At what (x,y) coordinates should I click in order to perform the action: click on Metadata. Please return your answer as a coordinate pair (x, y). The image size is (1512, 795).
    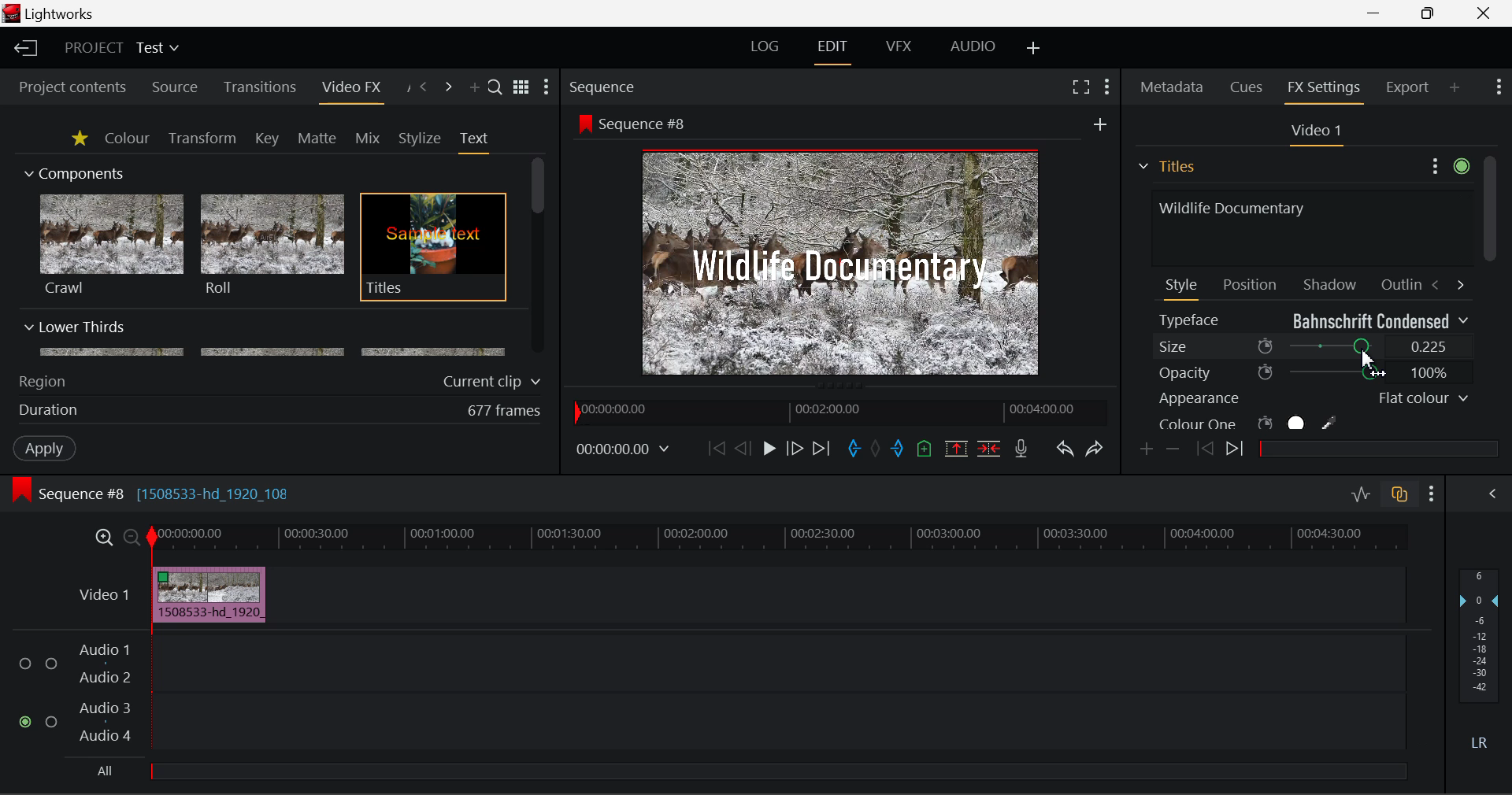
    Looking at the image, I should click on (1173, 89).